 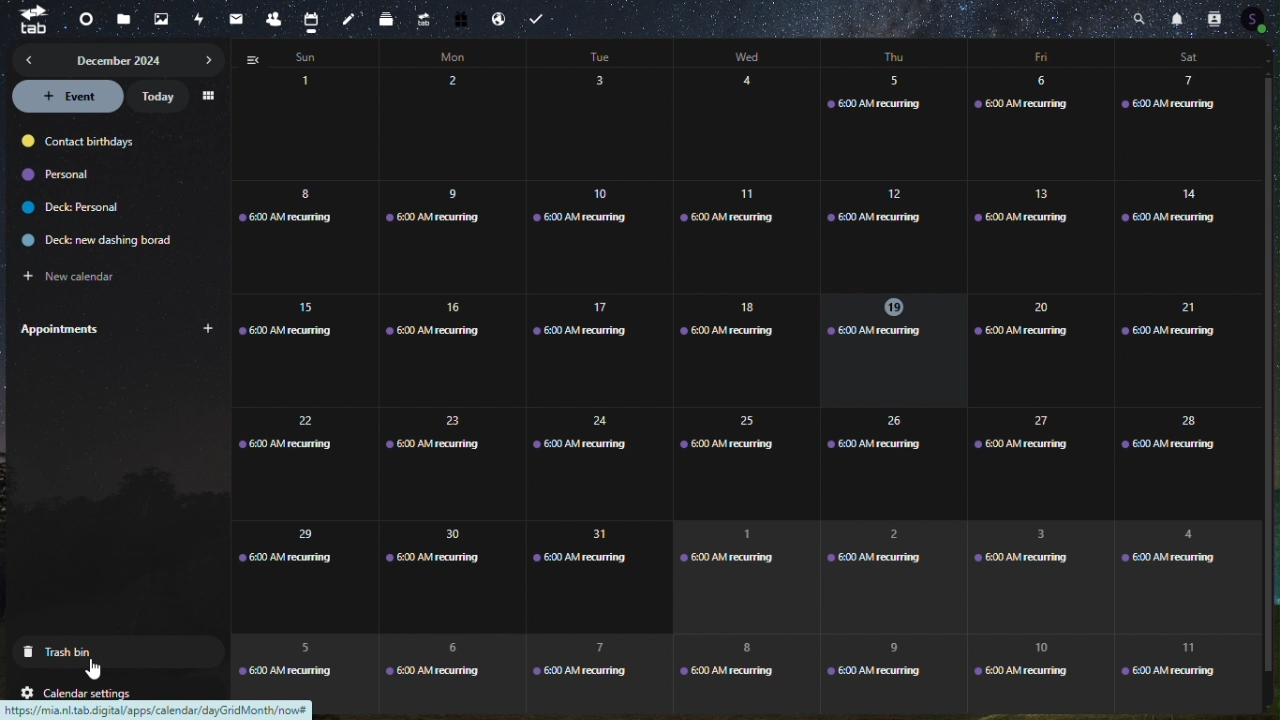 What do you see at coordinates (198, 20) in the screenshot?
I see `activity` at bounding box center [198, 20].